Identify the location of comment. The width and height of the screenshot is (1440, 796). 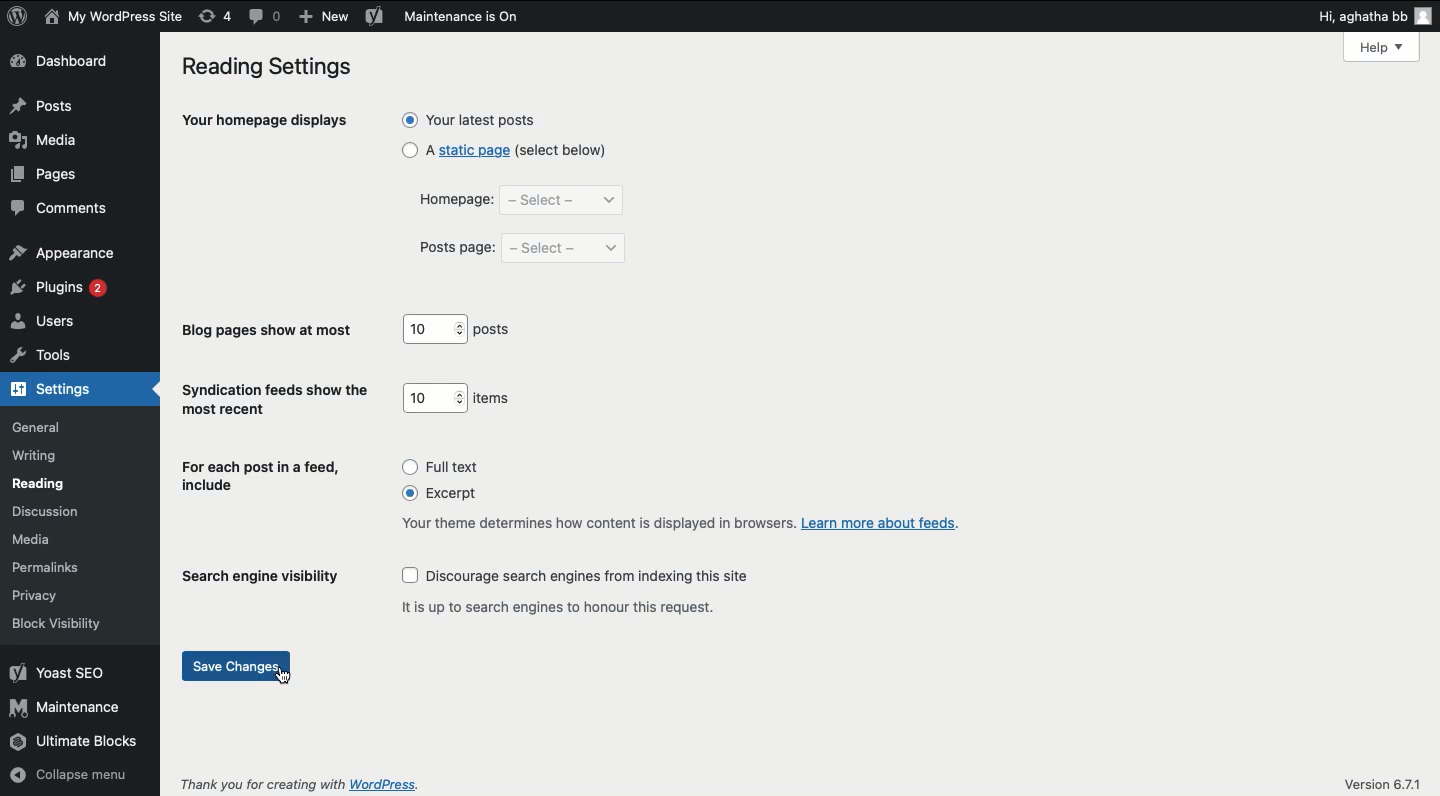
(266, 16).